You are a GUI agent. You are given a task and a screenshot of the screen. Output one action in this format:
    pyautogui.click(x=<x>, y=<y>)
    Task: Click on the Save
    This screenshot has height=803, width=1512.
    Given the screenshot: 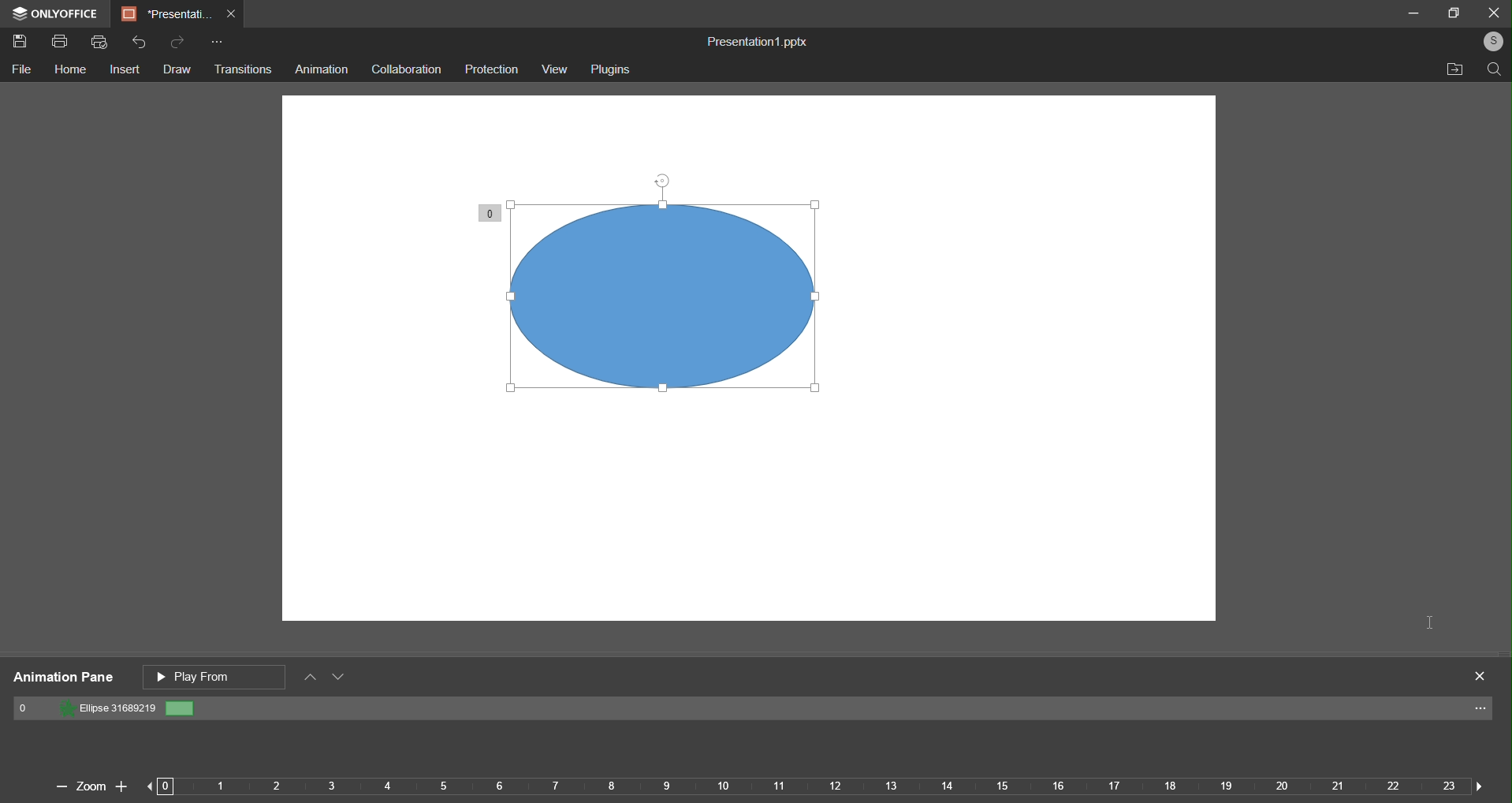 What is the action you would take?
    pyautogui.click(x=22, y=43)
    